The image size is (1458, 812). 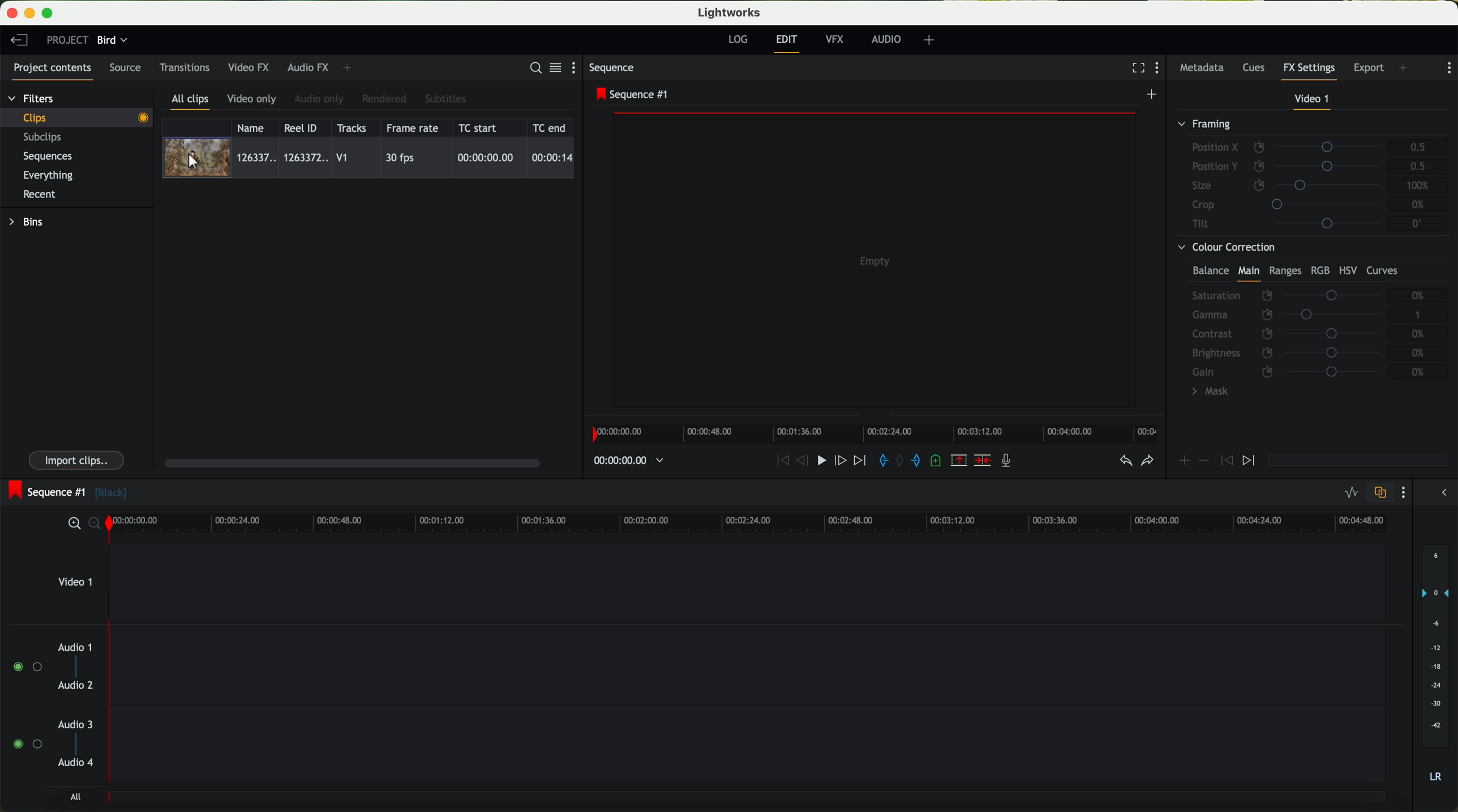 I want to click on contrast, so click(x=1293, y=334).